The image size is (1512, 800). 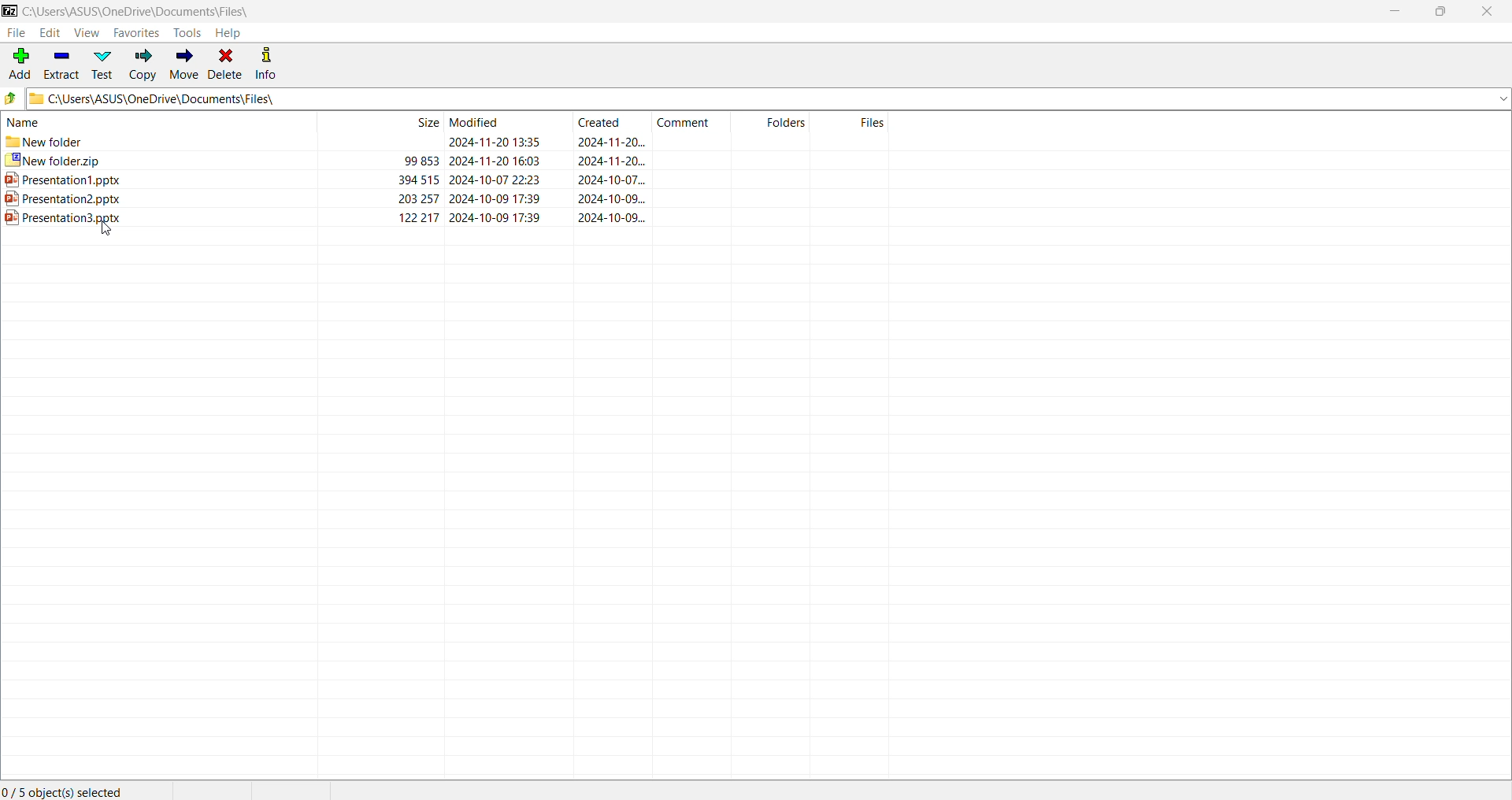 I want to click on Files, so click(x=854, y=122).